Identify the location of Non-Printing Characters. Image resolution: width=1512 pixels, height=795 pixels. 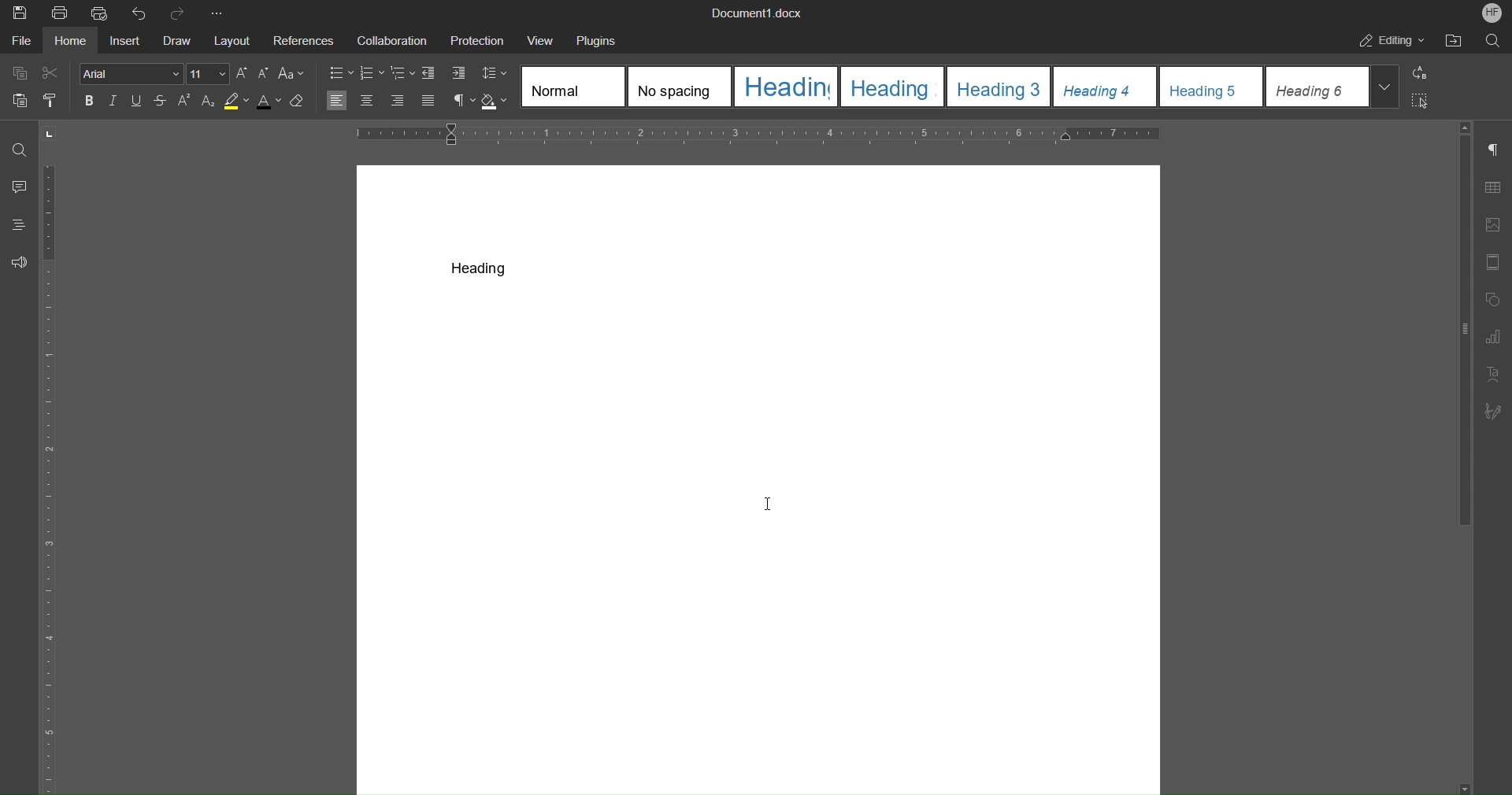
(464, 102).